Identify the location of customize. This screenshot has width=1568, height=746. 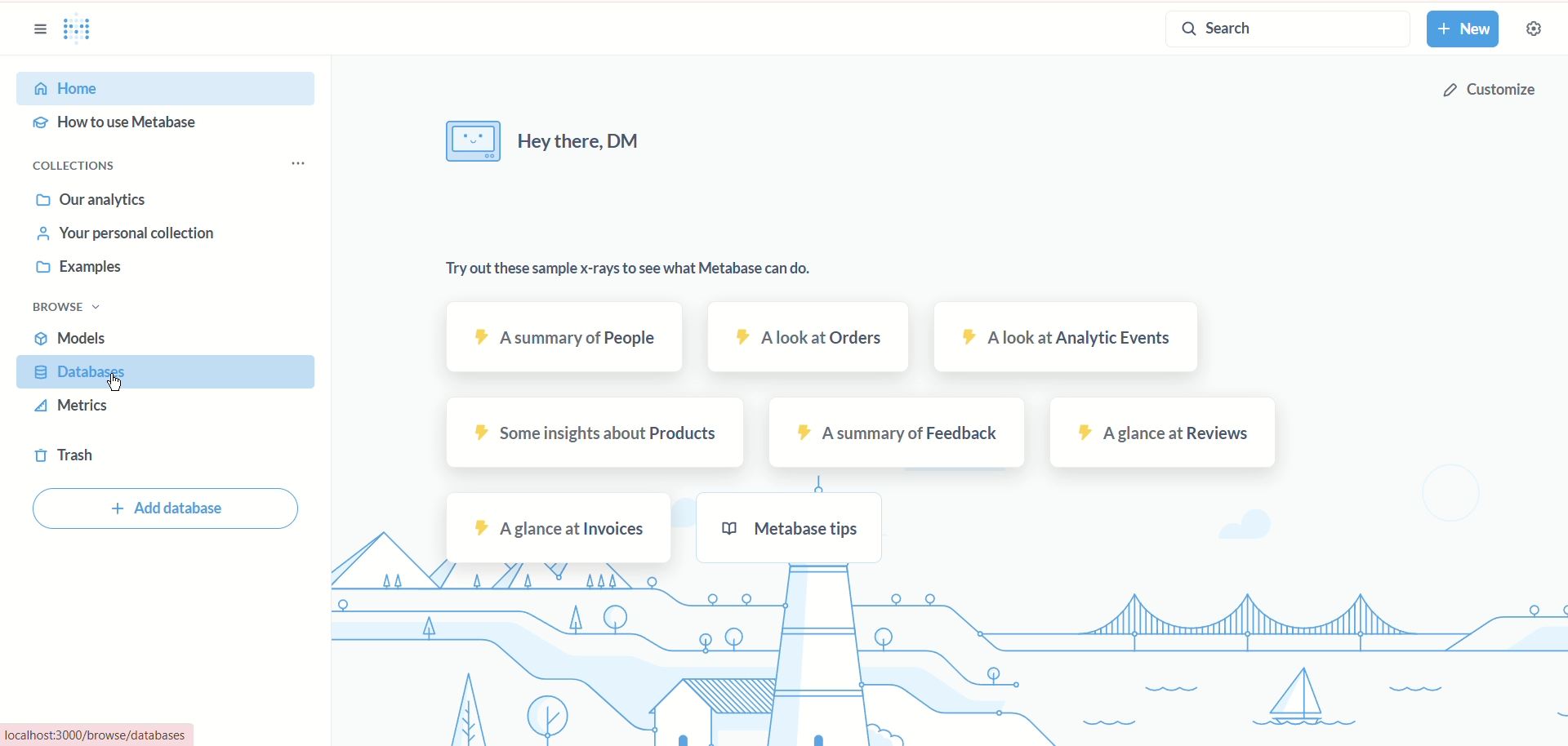
(1493, 88).